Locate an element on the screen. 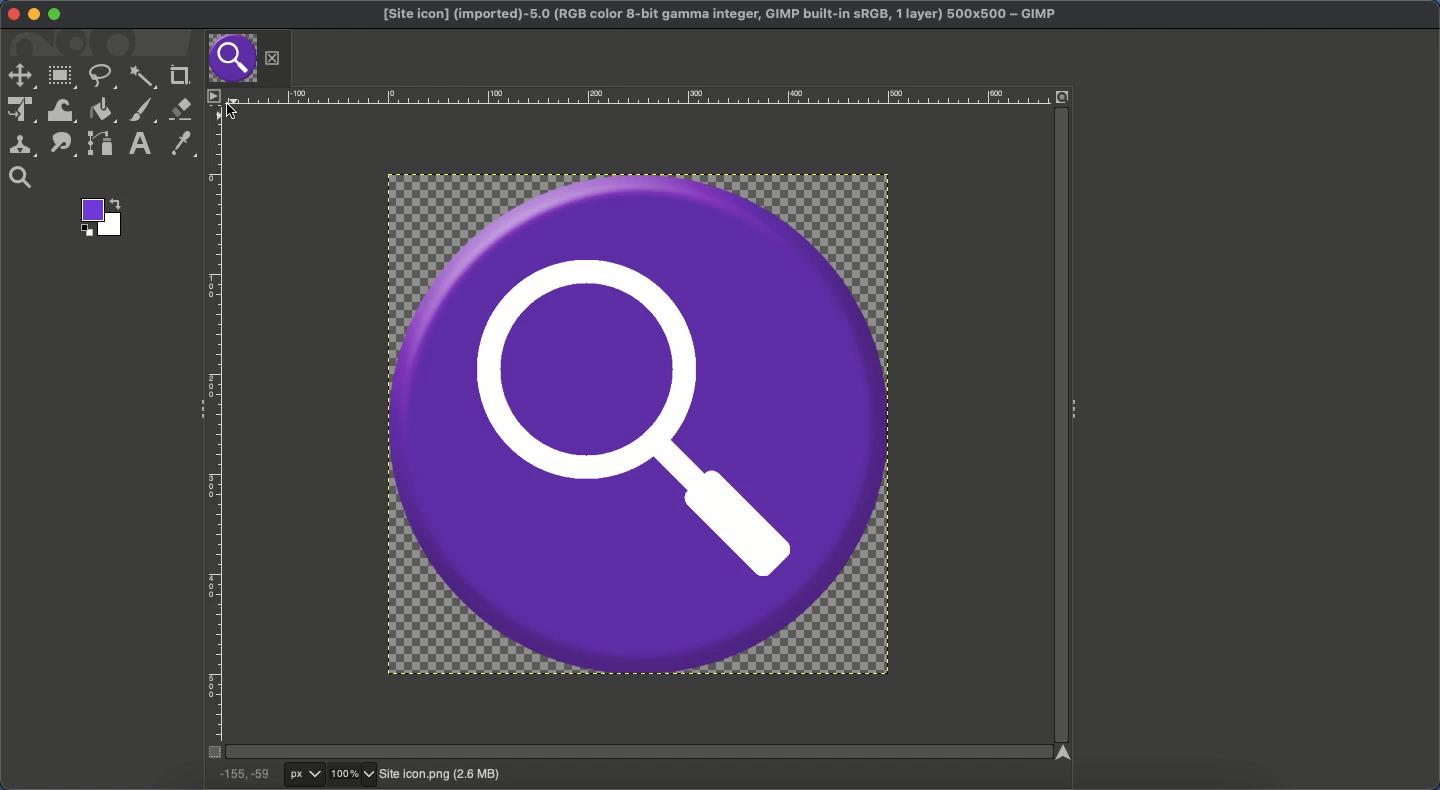 This screenshot has width=1440, height=790. Text is located at coordinates (137, 144).